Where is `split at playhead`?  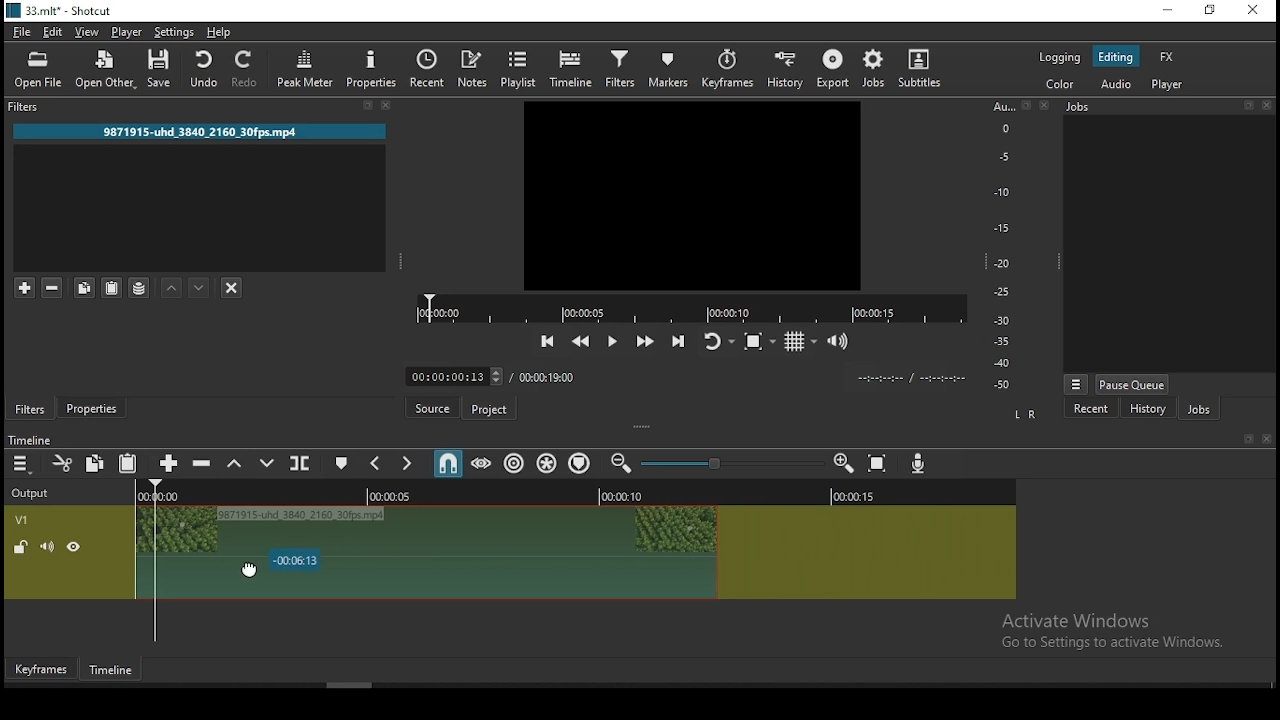 split at playhead is located at coordinates (301, 463).